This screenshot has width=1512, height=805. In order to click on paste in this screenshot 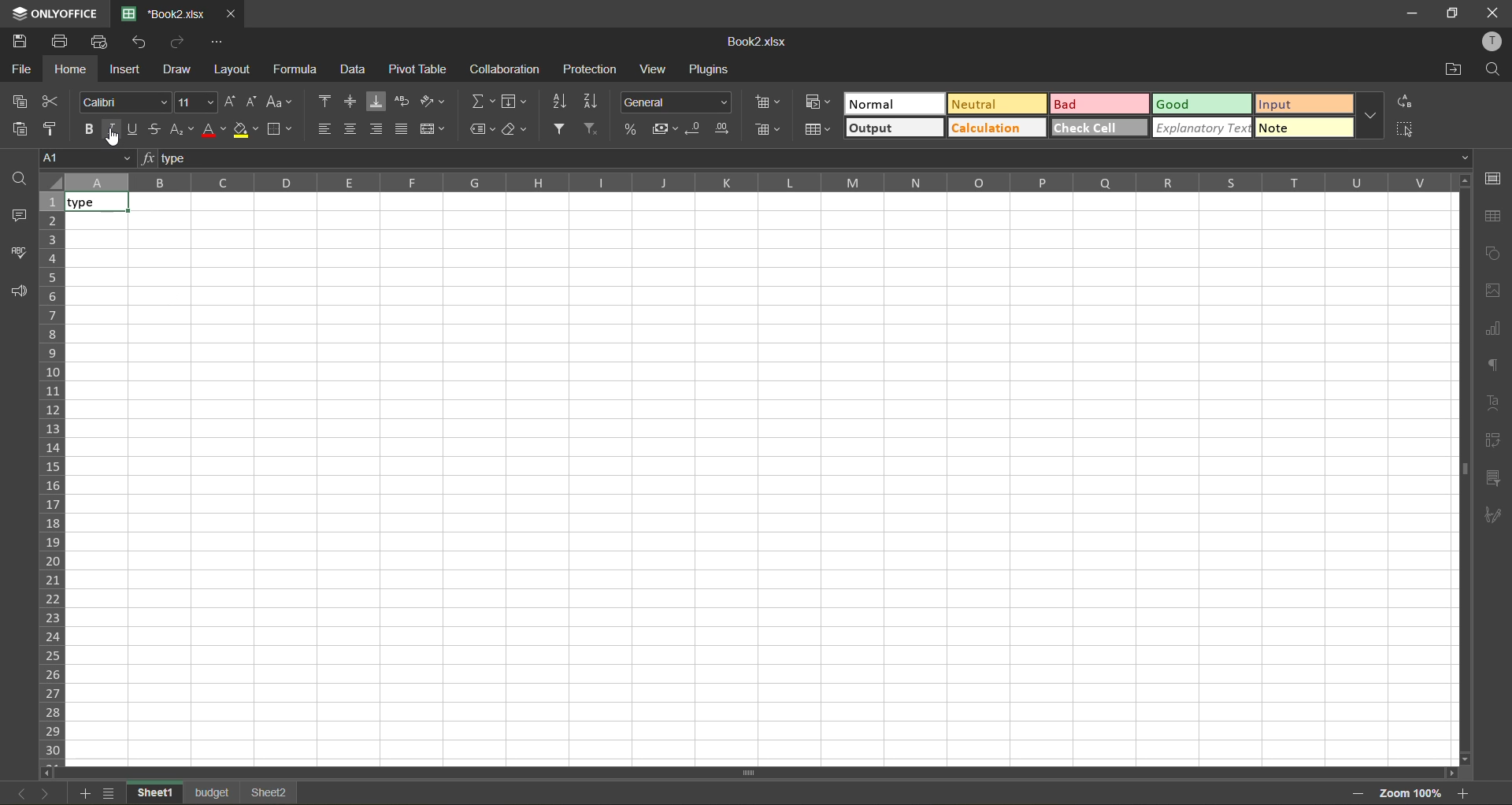, I will do `click(22, 128)`.